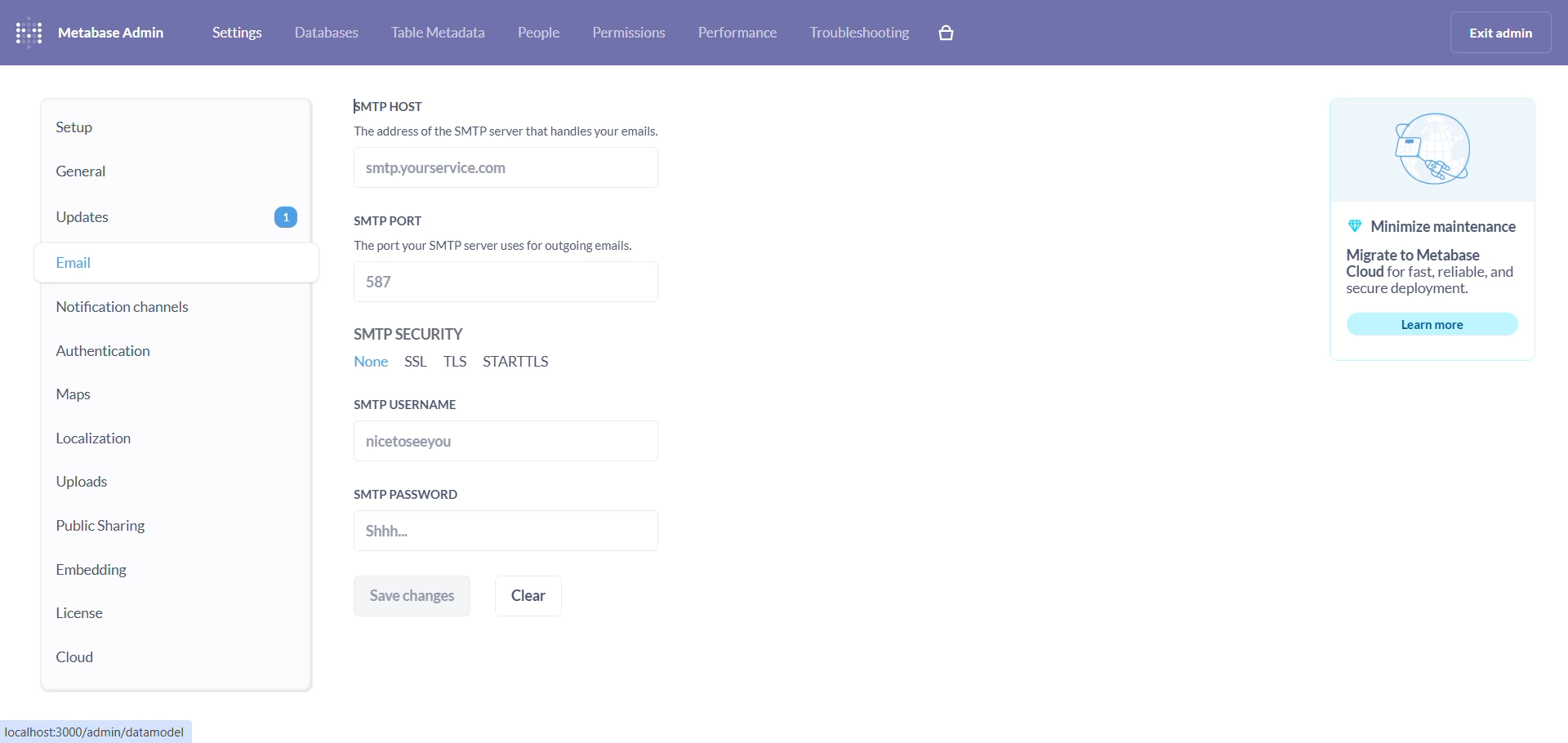  Describe the element at coordinates (145, 438) in the screenshot. I see `localization` at that location.